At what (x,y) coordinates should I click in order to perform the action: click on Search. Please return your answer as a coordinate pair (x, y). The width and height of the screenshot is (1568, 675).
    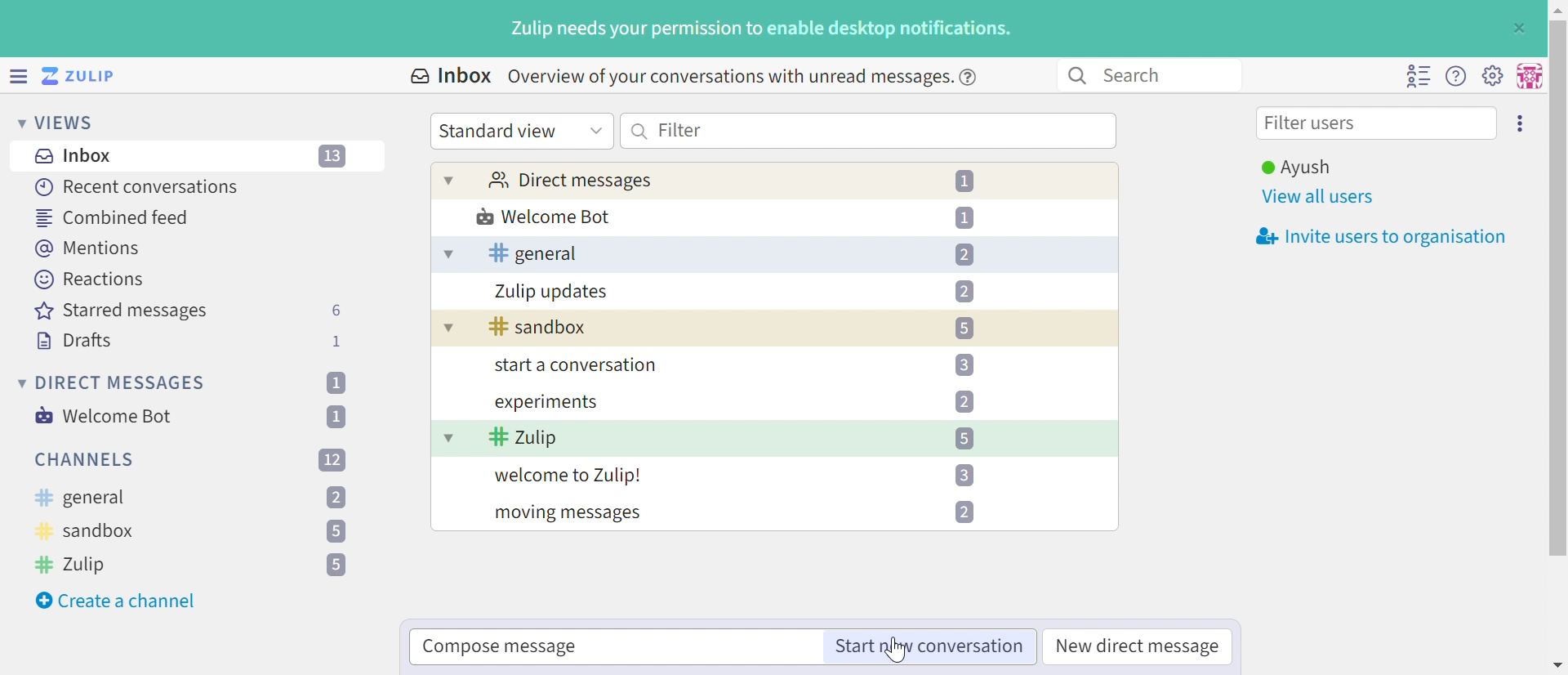
    Looking at the image, I should click on (1140, 74).